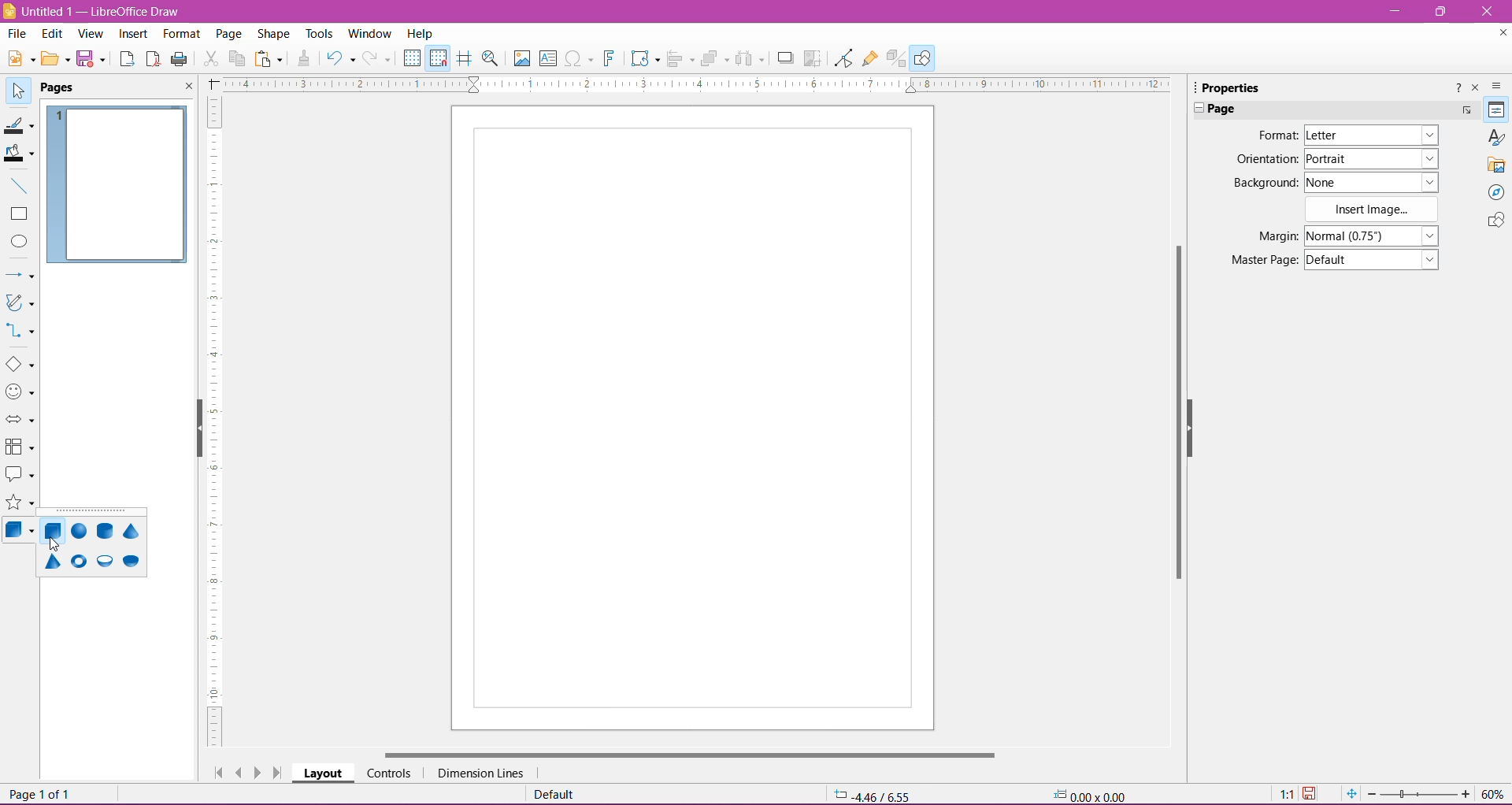  Describe the element at coordinates (1351, 794) in the screenshot. I see `Fit Page to current window` at that location.